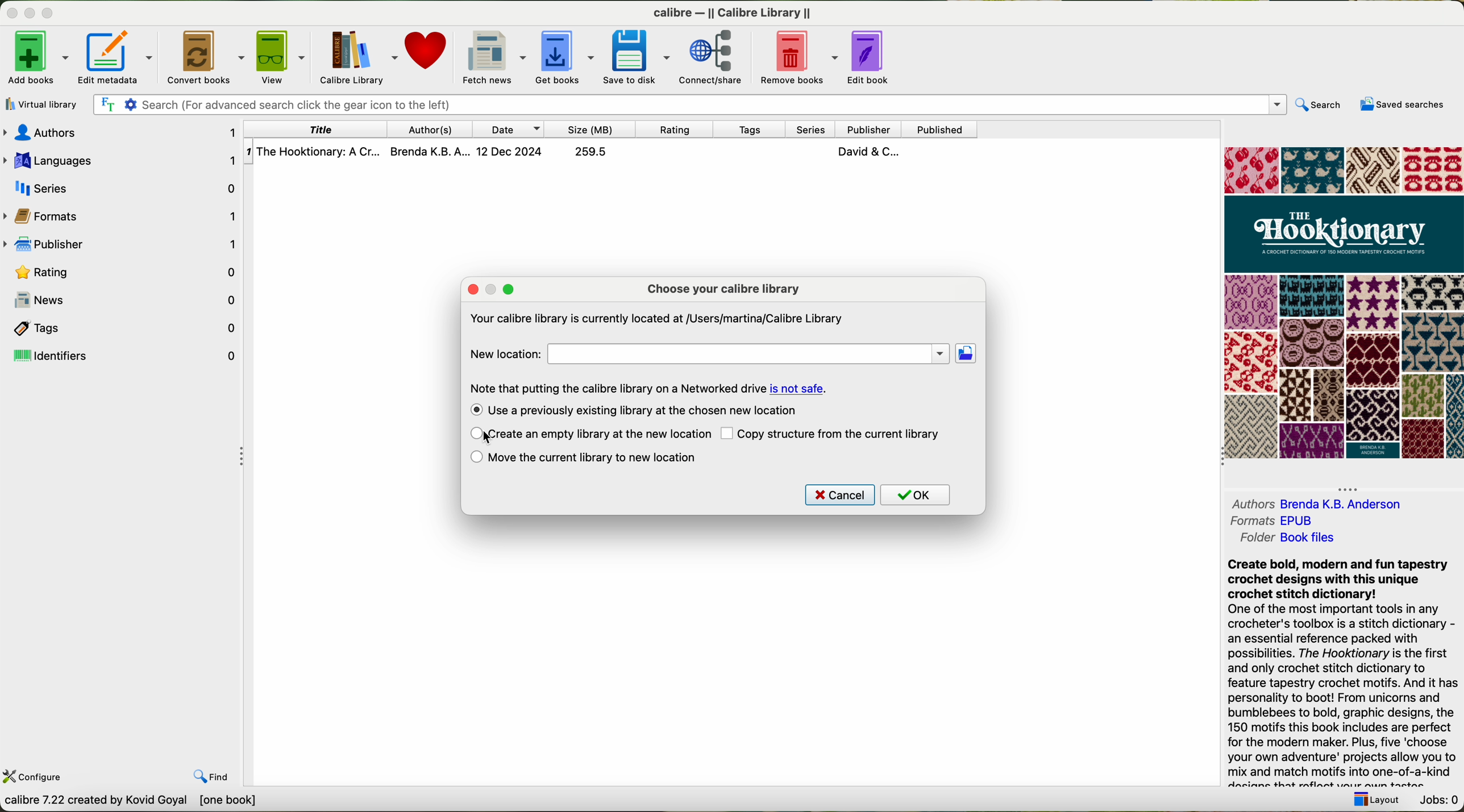  What do you see at coordinates (241, 454) in the screenshot?
I see `hide` at bounding box center [241, 454].